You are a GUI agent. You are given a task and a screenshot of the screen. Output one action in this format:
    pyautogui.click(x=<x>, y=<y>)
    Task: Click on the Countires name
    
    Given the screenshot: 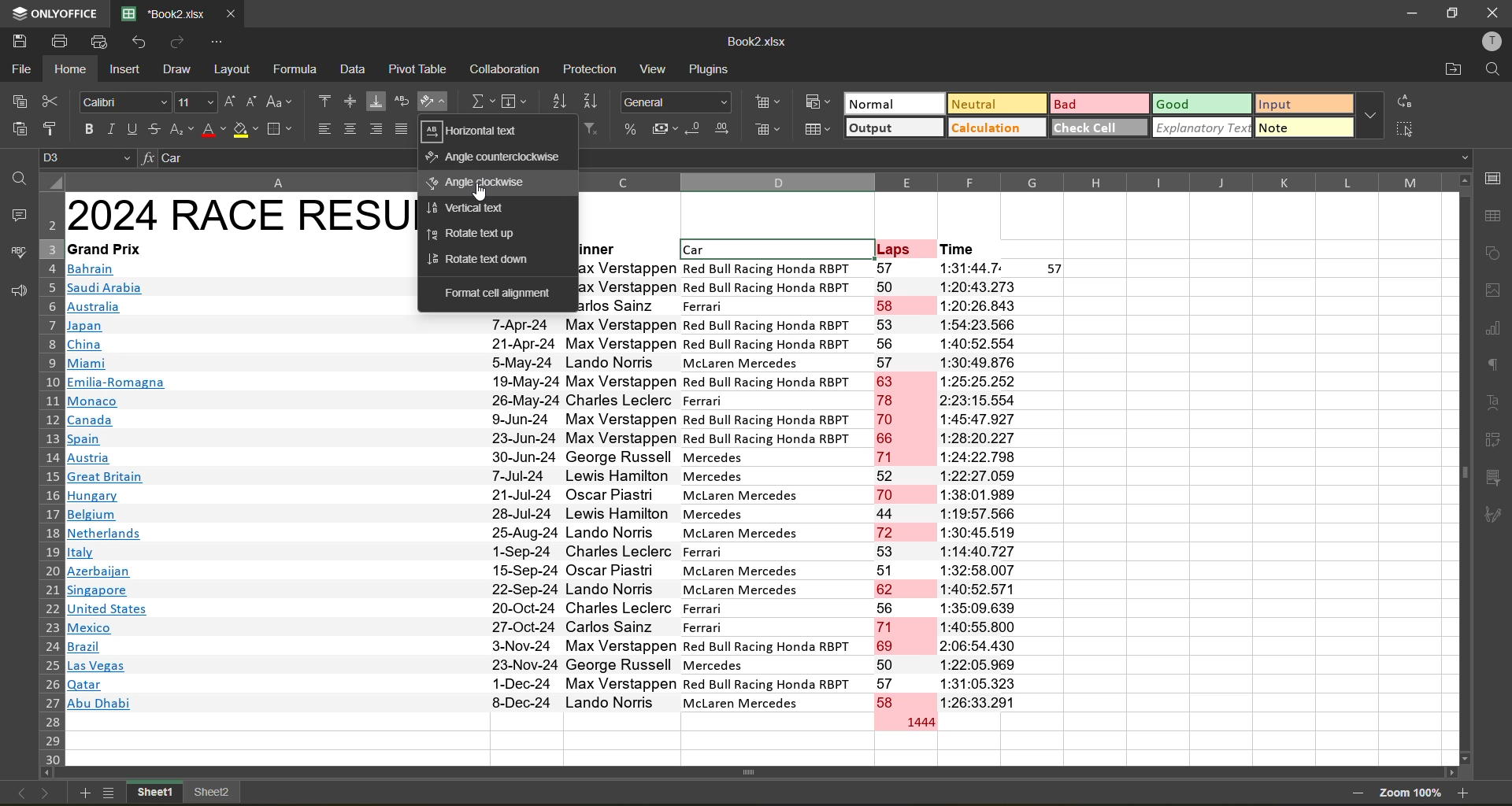 What is the action you would take?
    pyautogui.click(x=120, y=488)
    